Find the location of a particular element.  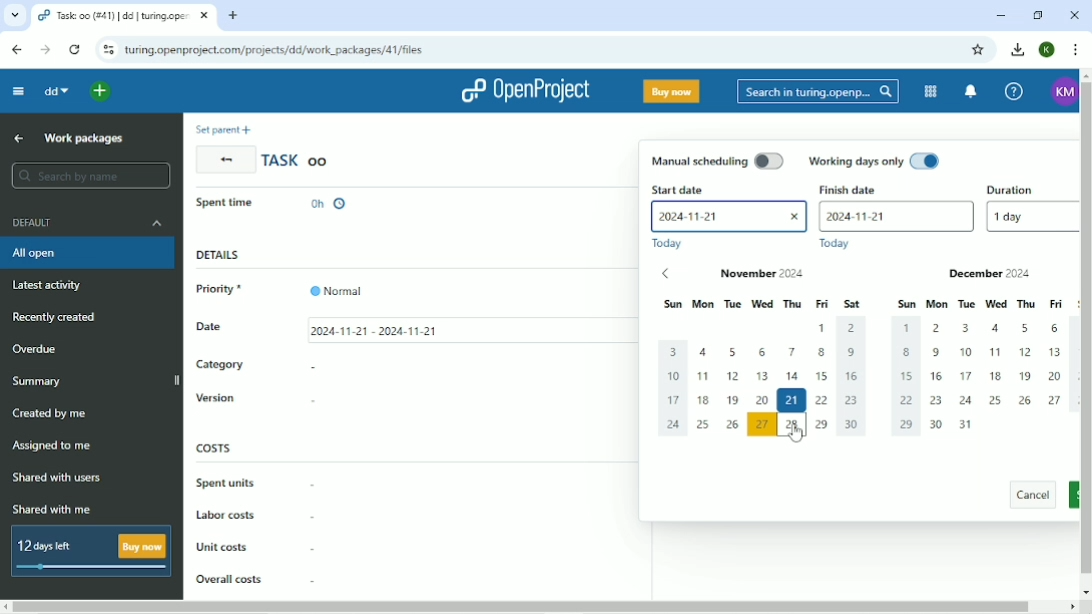

scroll left is located at coordinates (7, 607).